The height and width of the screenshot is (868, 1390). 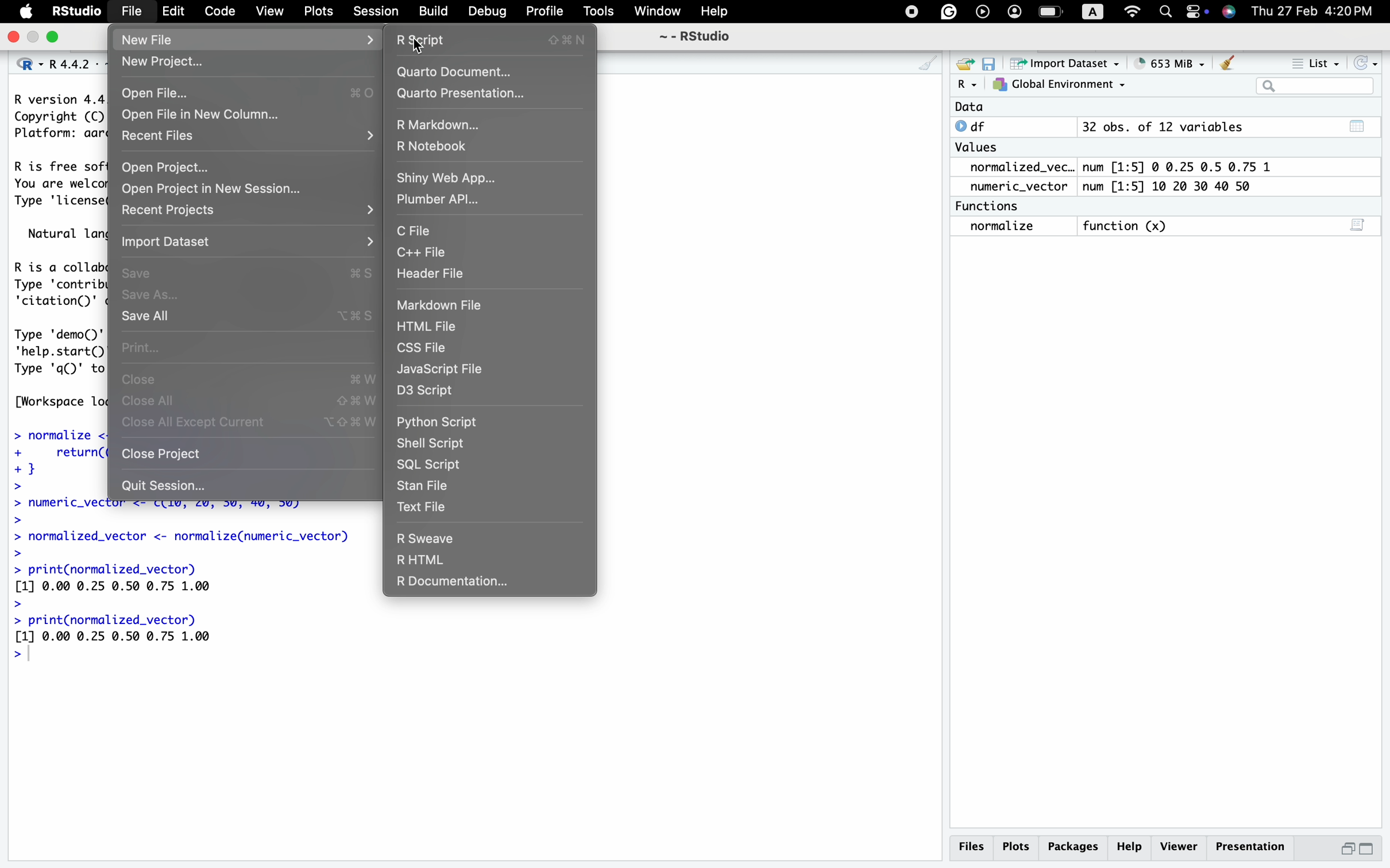 What do you see at coordinates (597, 13) in the screenshot?
I see `Tools` at bounding box center [597, 13].